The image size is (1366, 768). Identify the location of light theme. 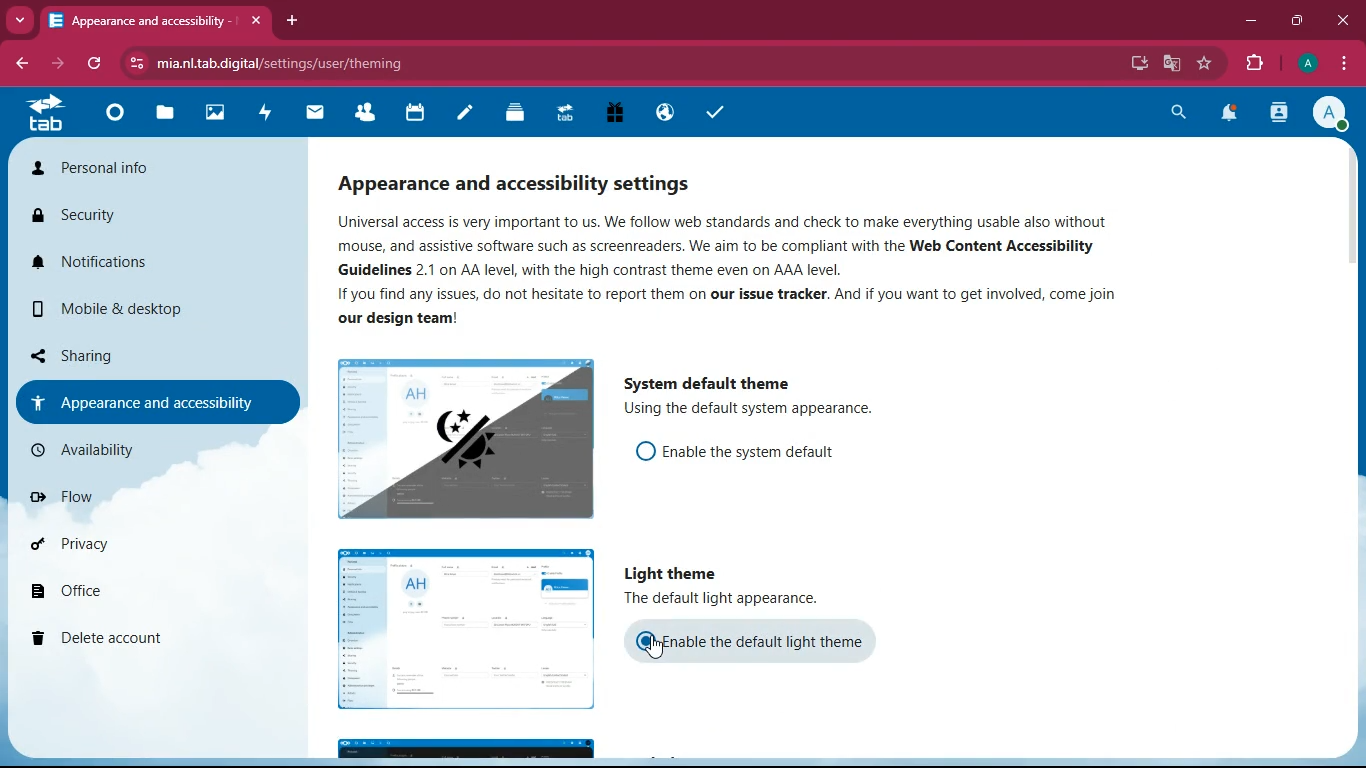
(675, 573).